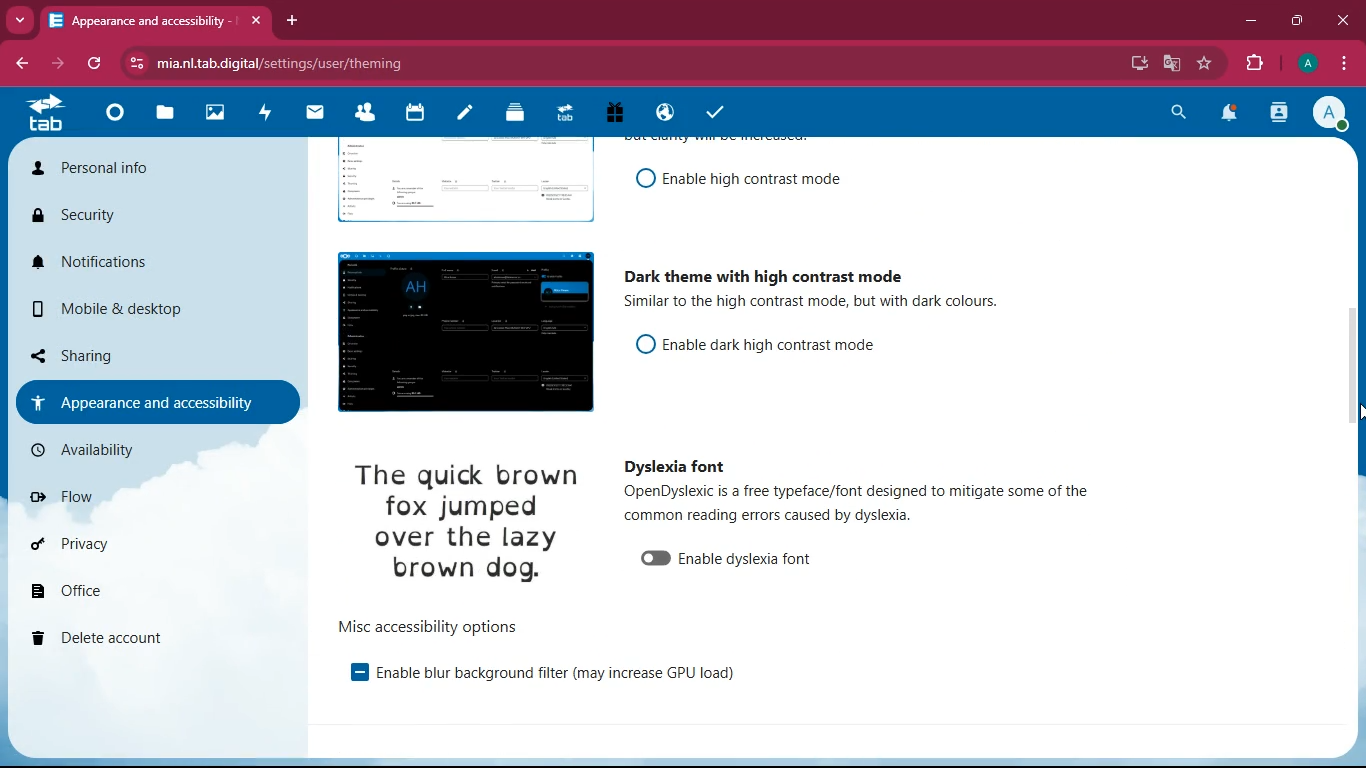  What do you see at coordinates (54, 65) in the screenshot?
I see `forward` at bounding box center [54, 65].